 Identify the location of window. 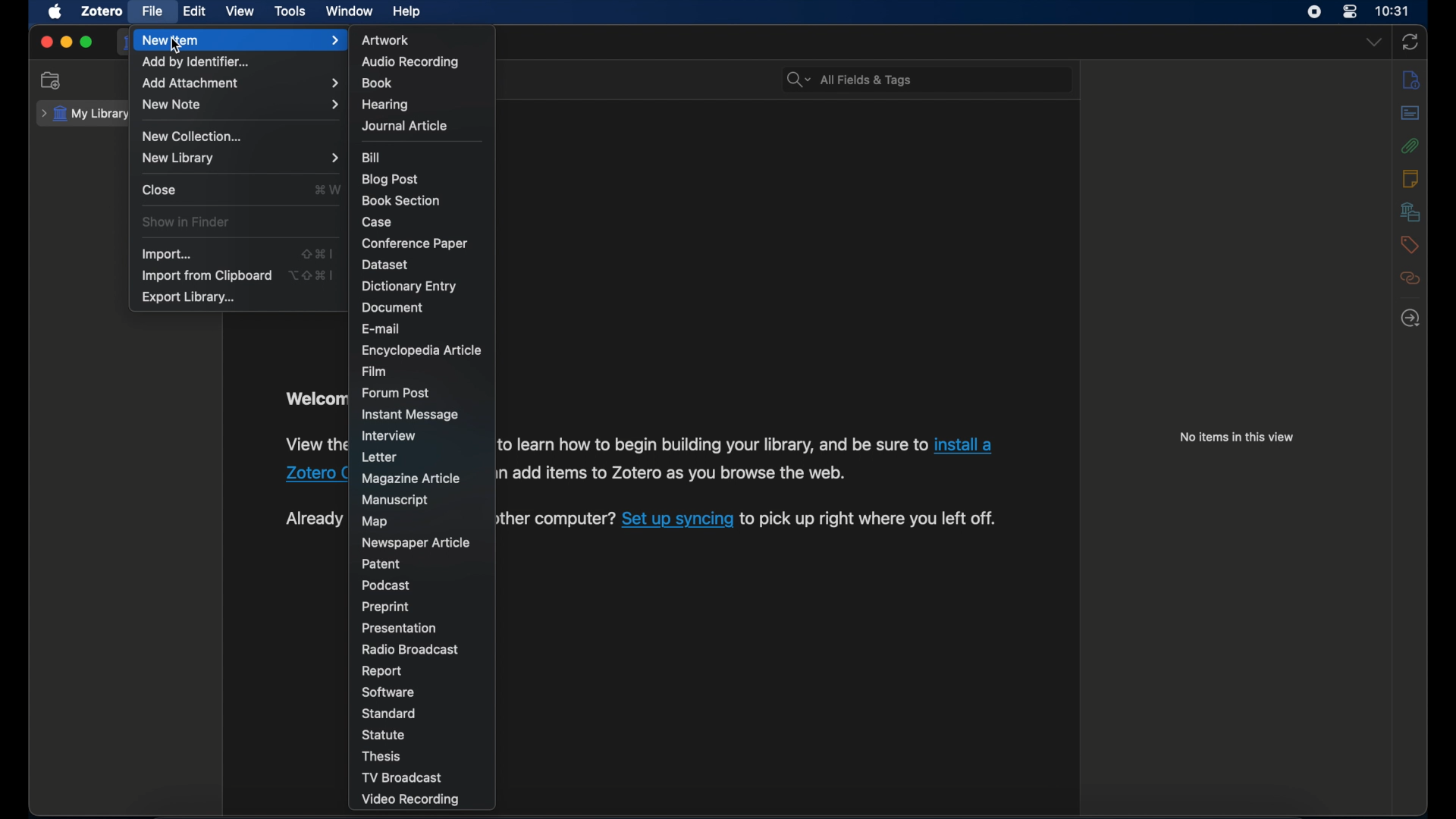
(350, 11).